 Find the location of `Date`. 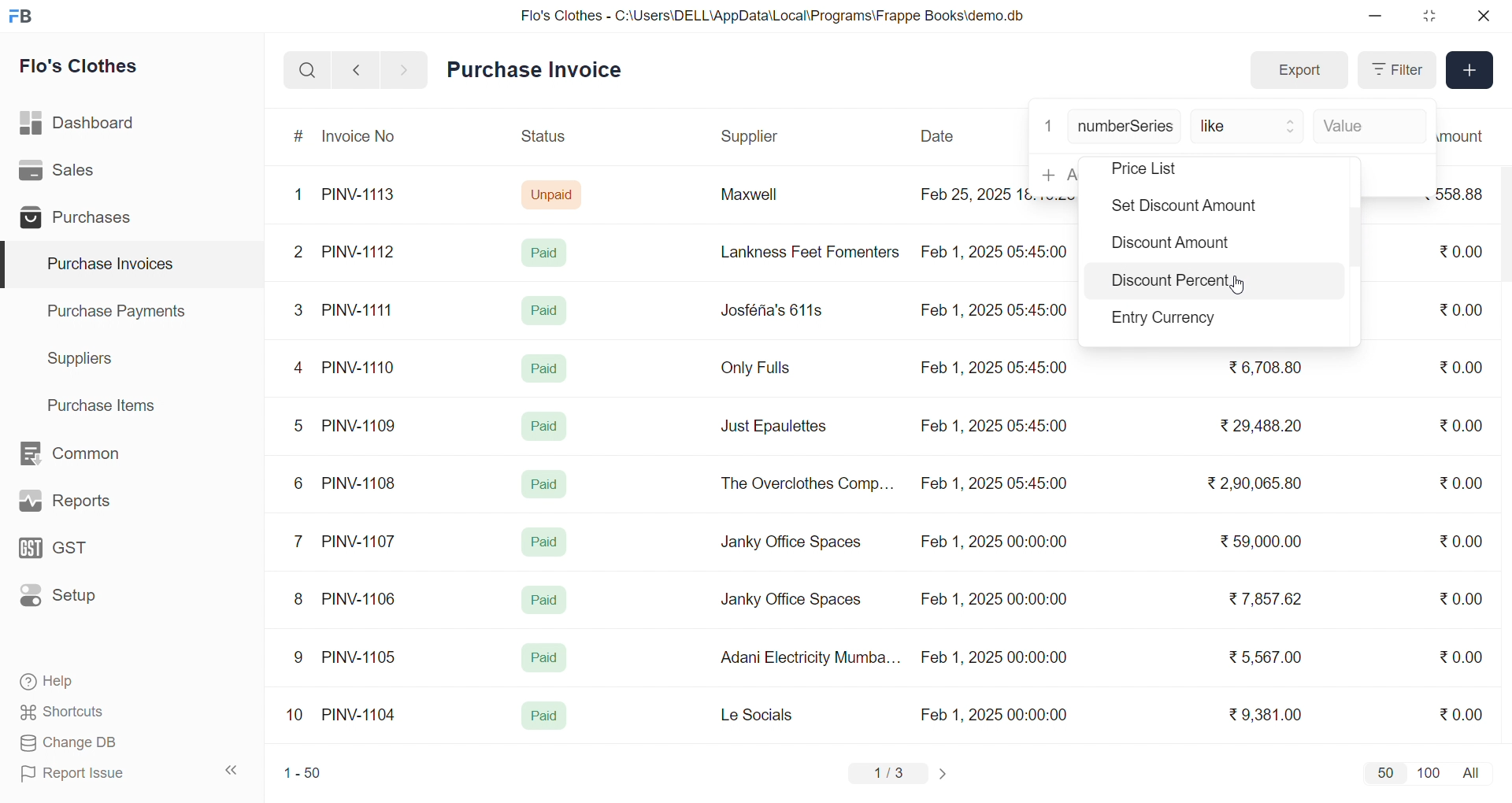

Date is located at coordinates (939, 136).